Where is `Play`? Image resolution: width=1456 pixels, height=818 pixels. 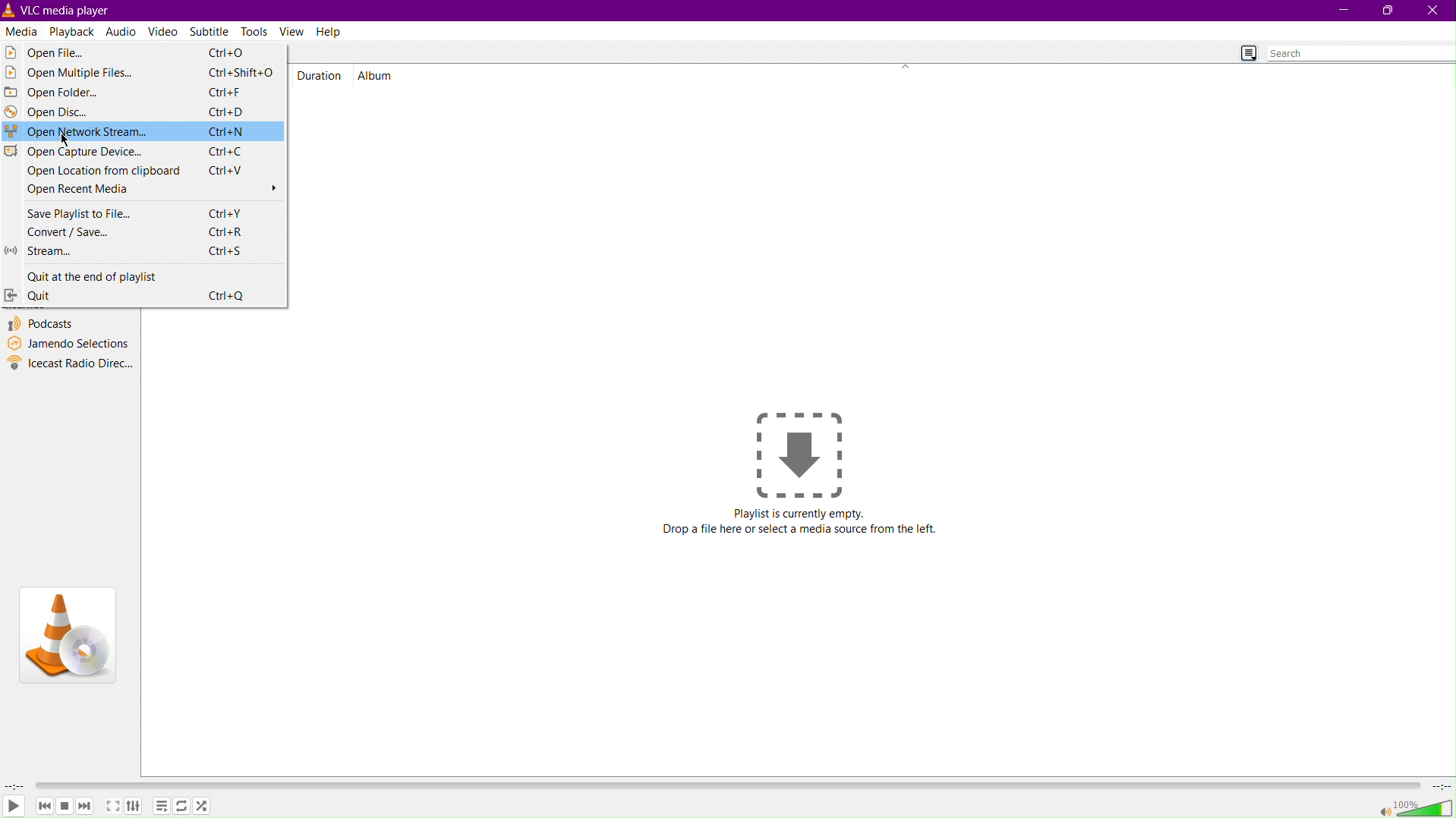 Play is located at coordinates (15, 807).